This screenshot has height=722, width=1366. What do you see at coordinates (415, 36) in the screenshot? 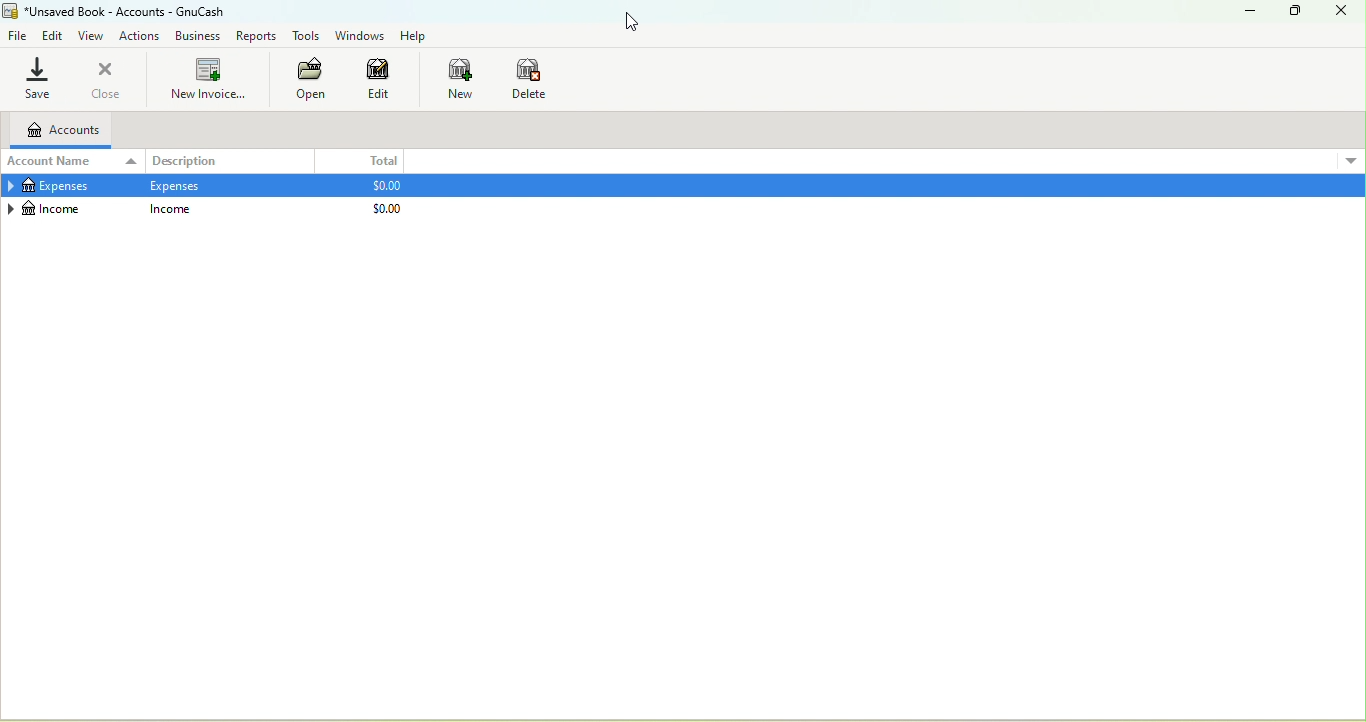
I see `Help` at bounding box center [415, 36].